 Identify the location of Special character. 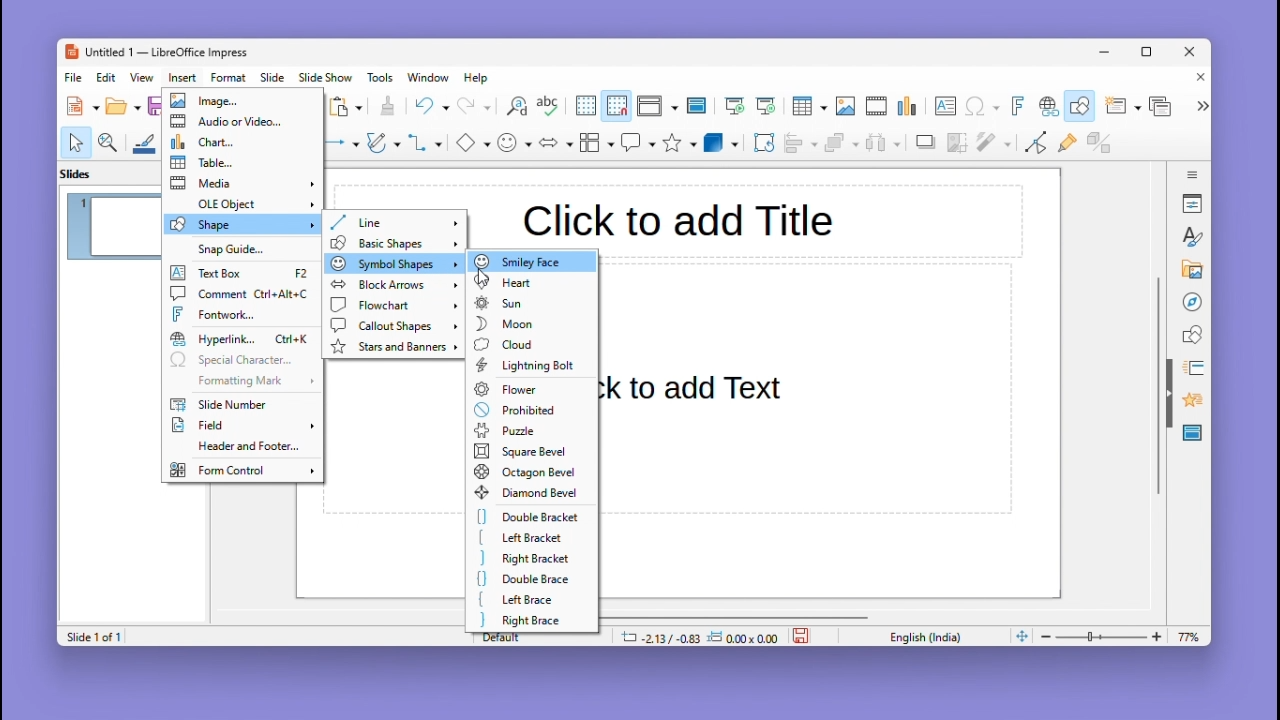
(242, 361).